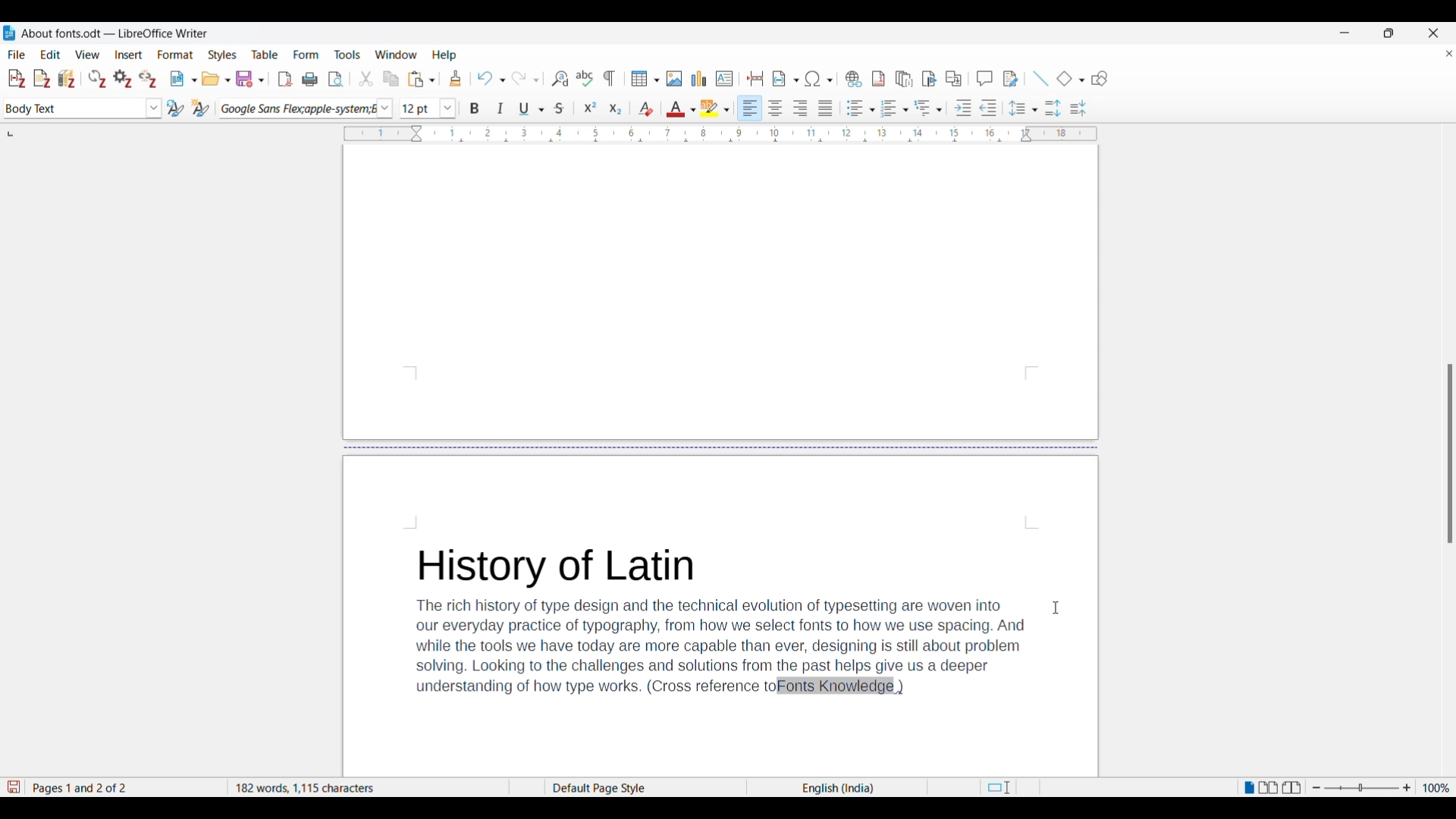 Image resolution: width=1456 pixels, height=819 pixels. What do you see at coordinates (9, 33) in the screenshot?
I see `LibreOffice Writer logo` at bounding box center [9, 33].